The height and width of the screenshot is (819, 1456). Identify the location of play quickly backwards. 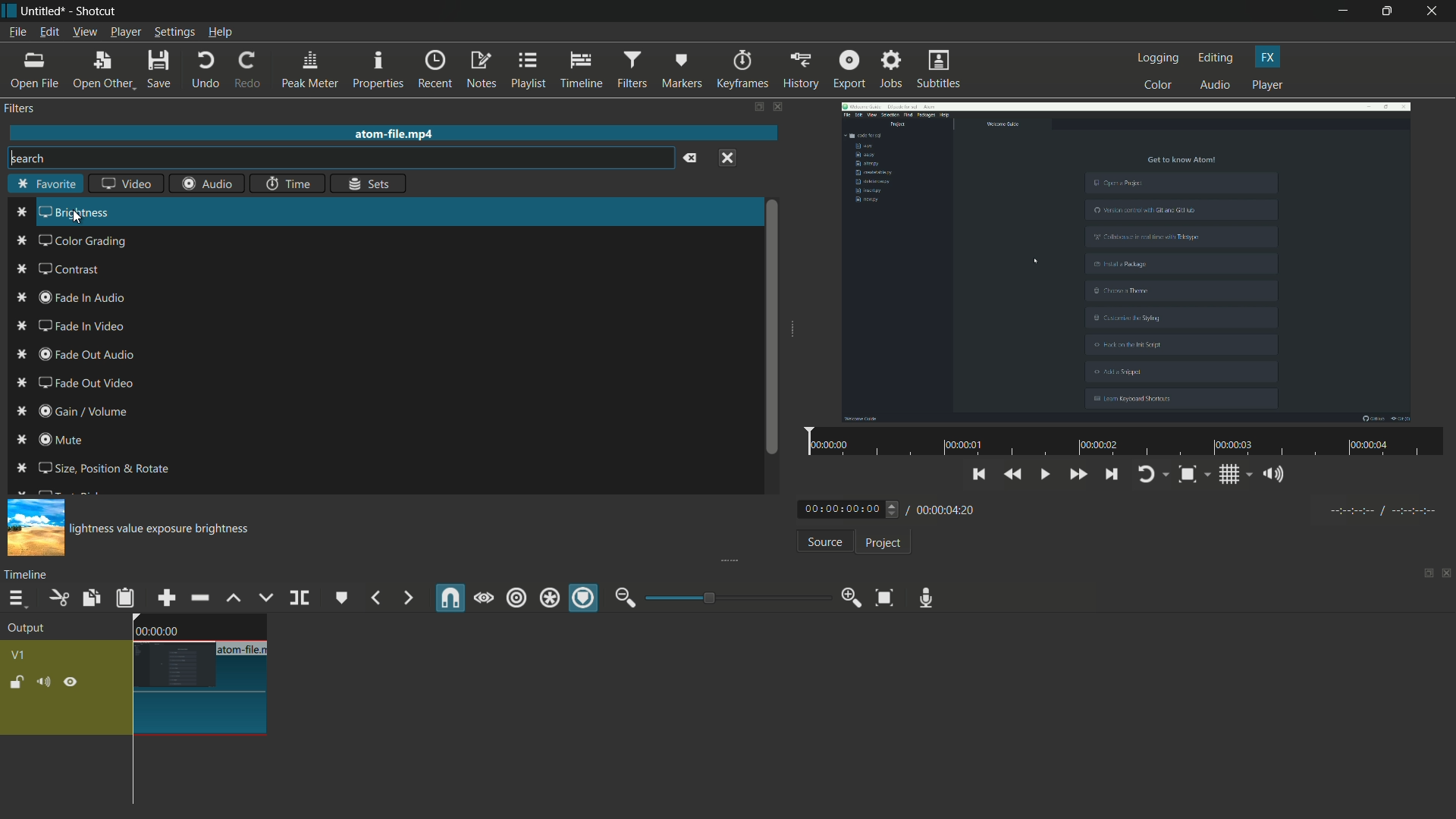
(1014, 475).